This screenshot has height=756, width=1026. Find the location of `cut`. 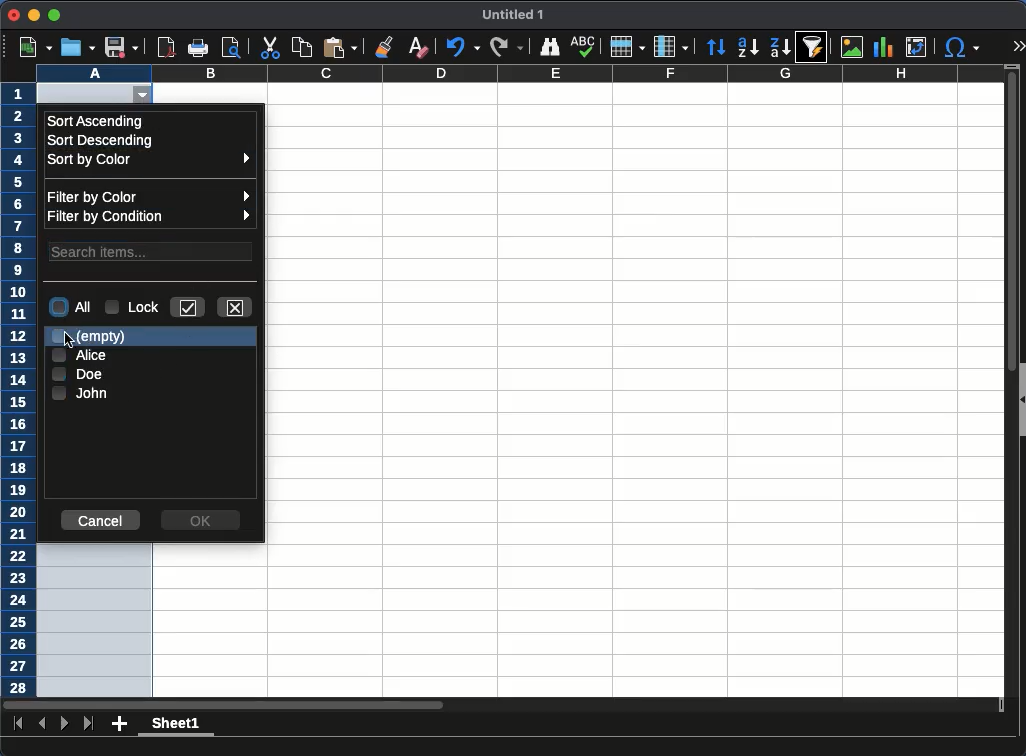

cut is located at coordinates (269, 47).